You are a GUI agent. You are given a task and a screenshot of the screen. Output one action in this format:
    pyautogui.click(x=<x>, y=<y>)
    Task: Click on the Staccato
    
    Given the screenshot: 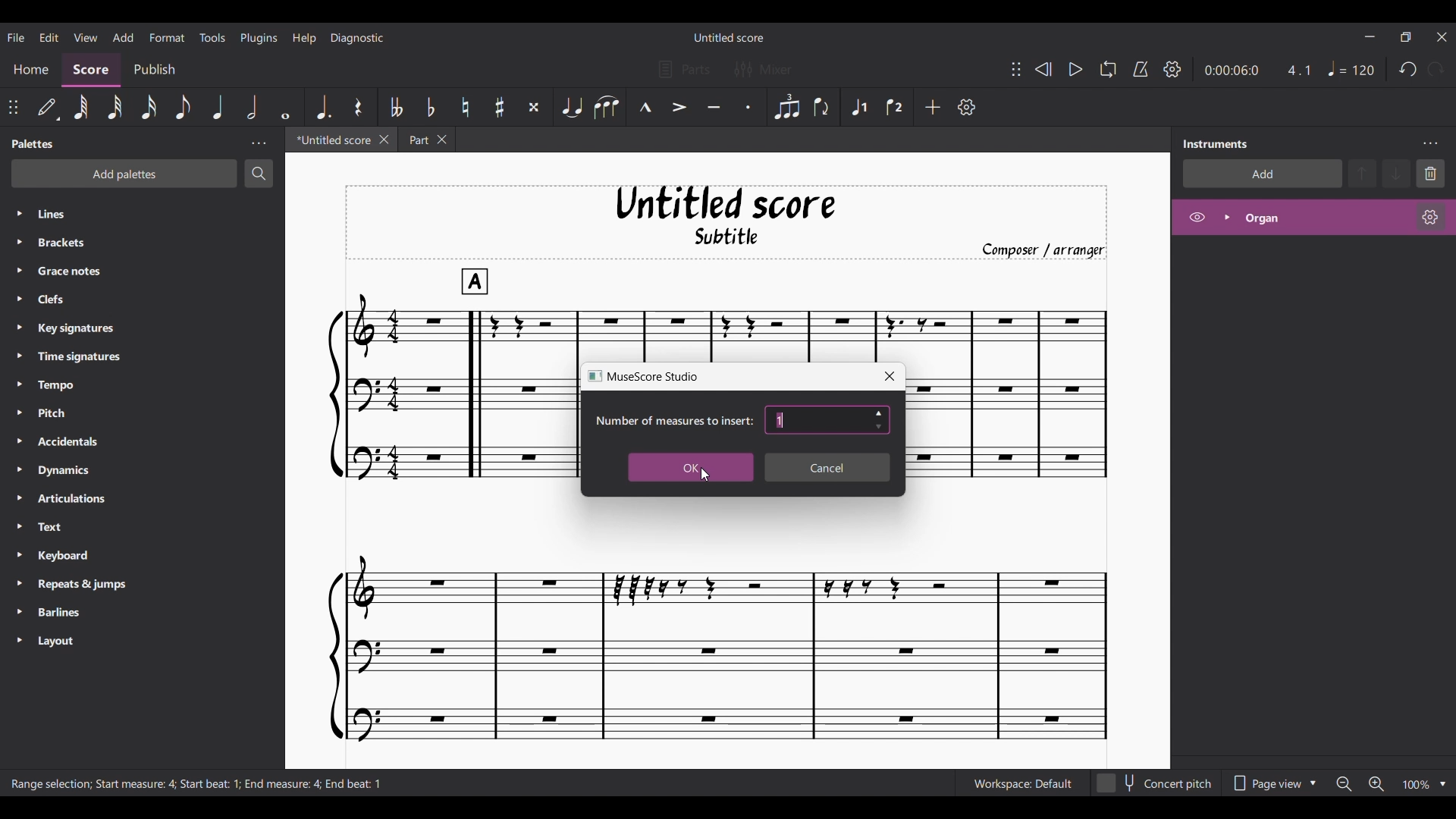 What is the action you would take?
    pyautogui.click(x=748, y=108)
    